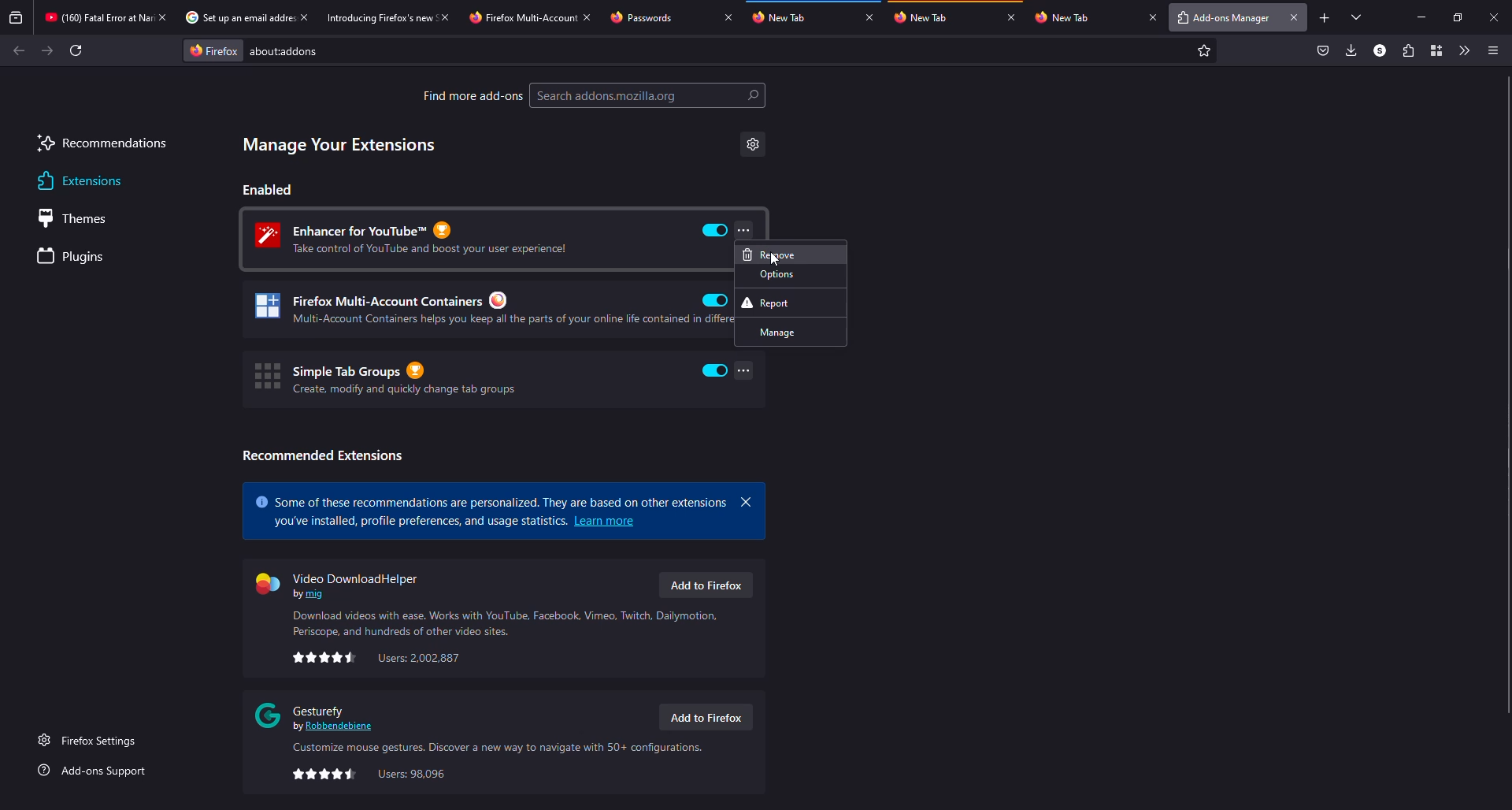  Describe the element at coordinates (77, 181) in the screenshot. I see `extensions` at that location.